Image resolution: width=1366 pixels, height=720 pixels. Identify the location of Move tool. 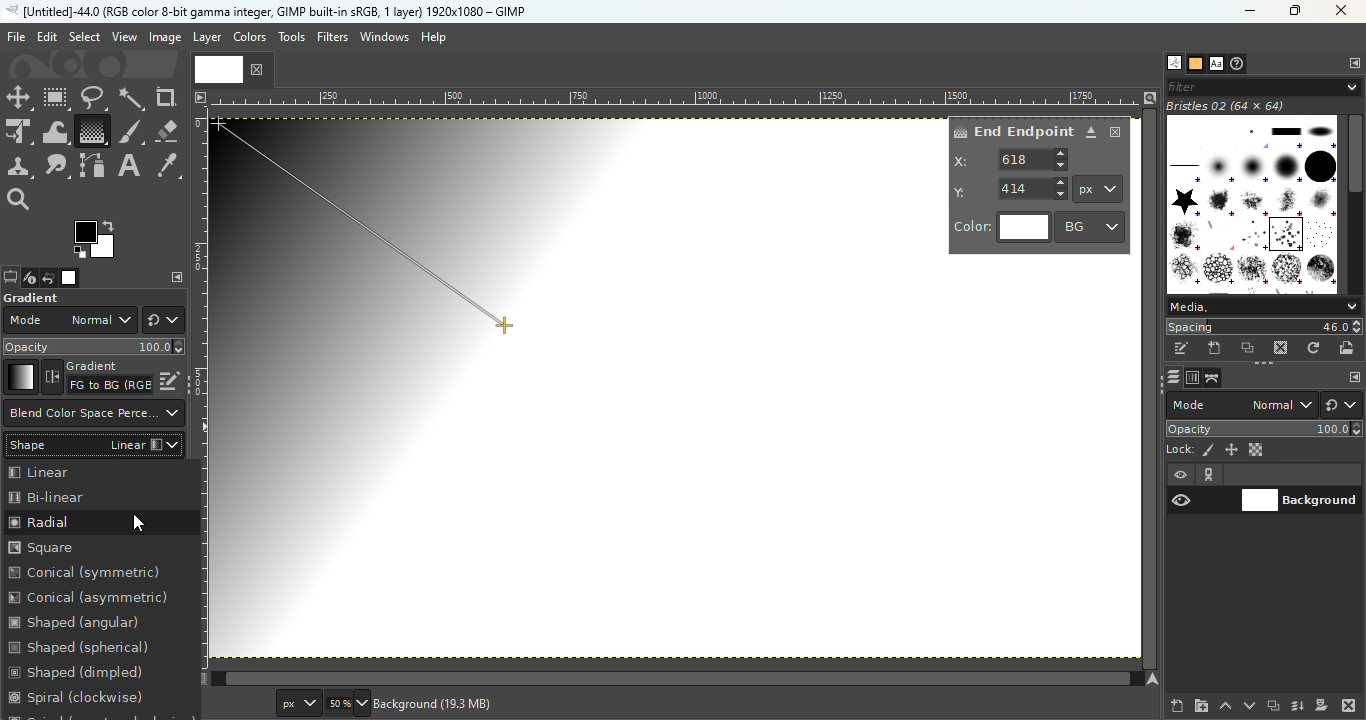
(19, 98).